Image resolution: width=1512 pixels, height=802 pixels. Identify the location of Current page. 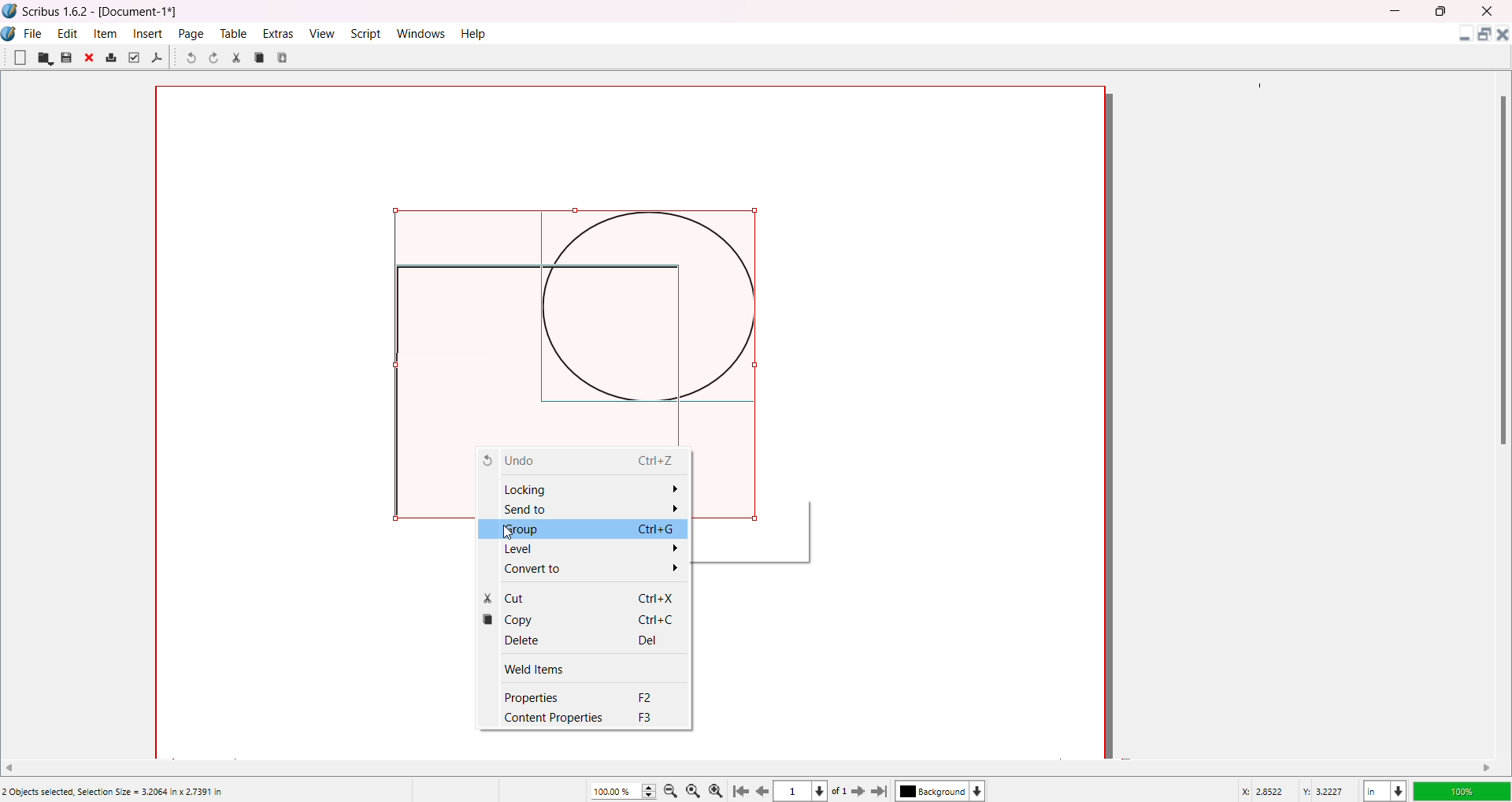
(795, 792).